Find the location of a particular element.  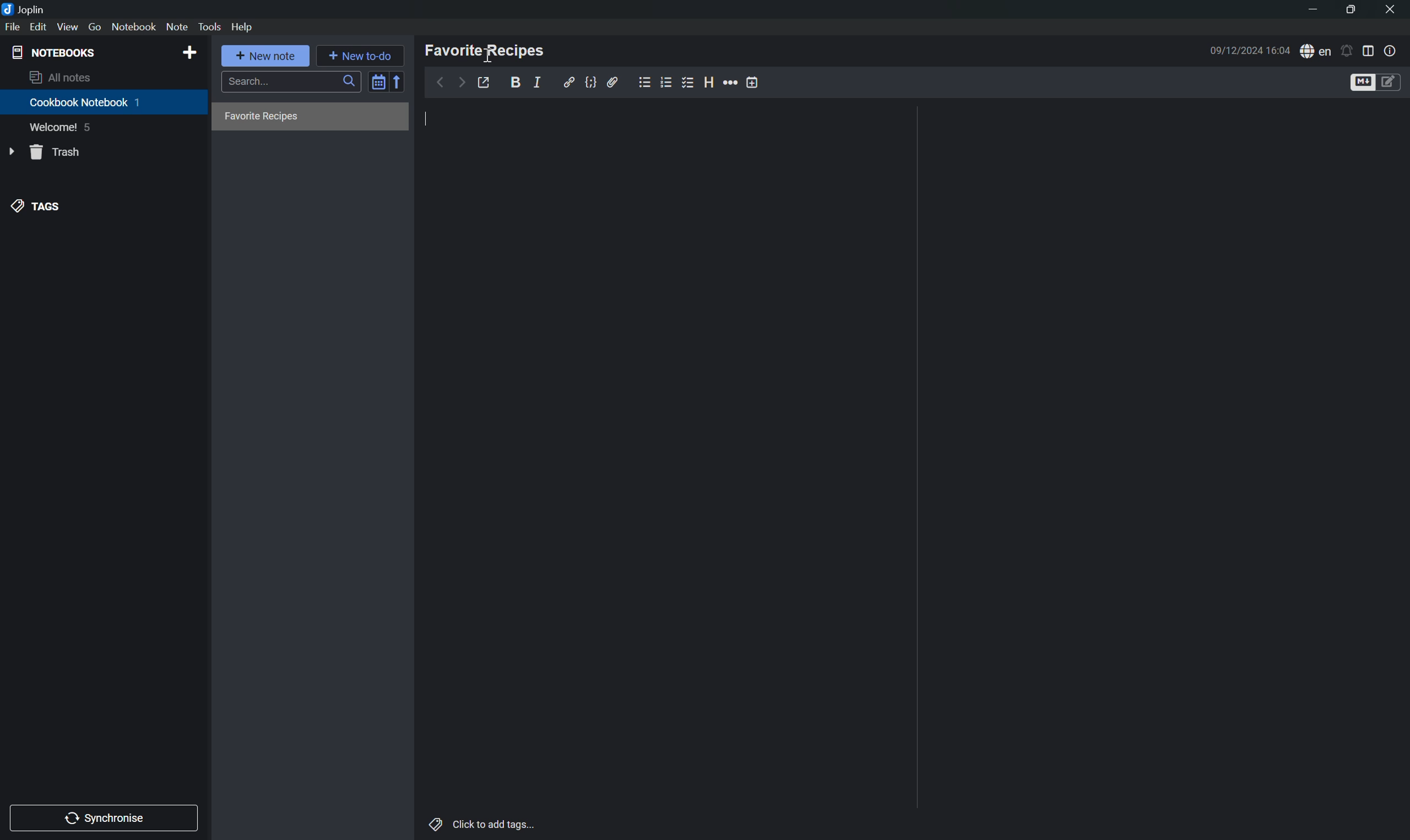

Forward is located at coordinates (461, 82).